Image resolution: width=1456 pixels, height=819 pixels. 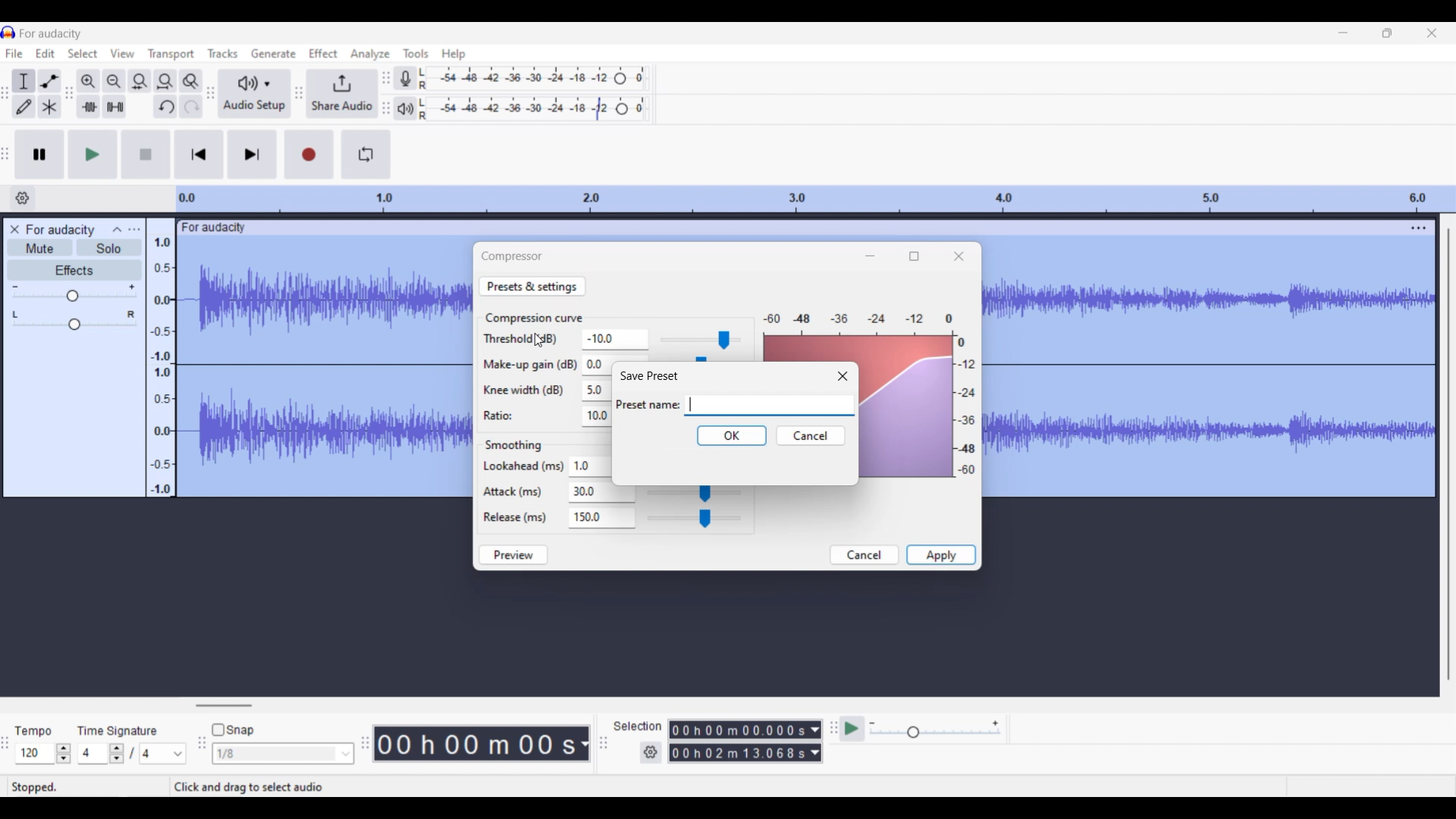 What do you see at coordinates (74, 293) in the screenshot?
I see `Volume slide` at bounding box center [74, 293].